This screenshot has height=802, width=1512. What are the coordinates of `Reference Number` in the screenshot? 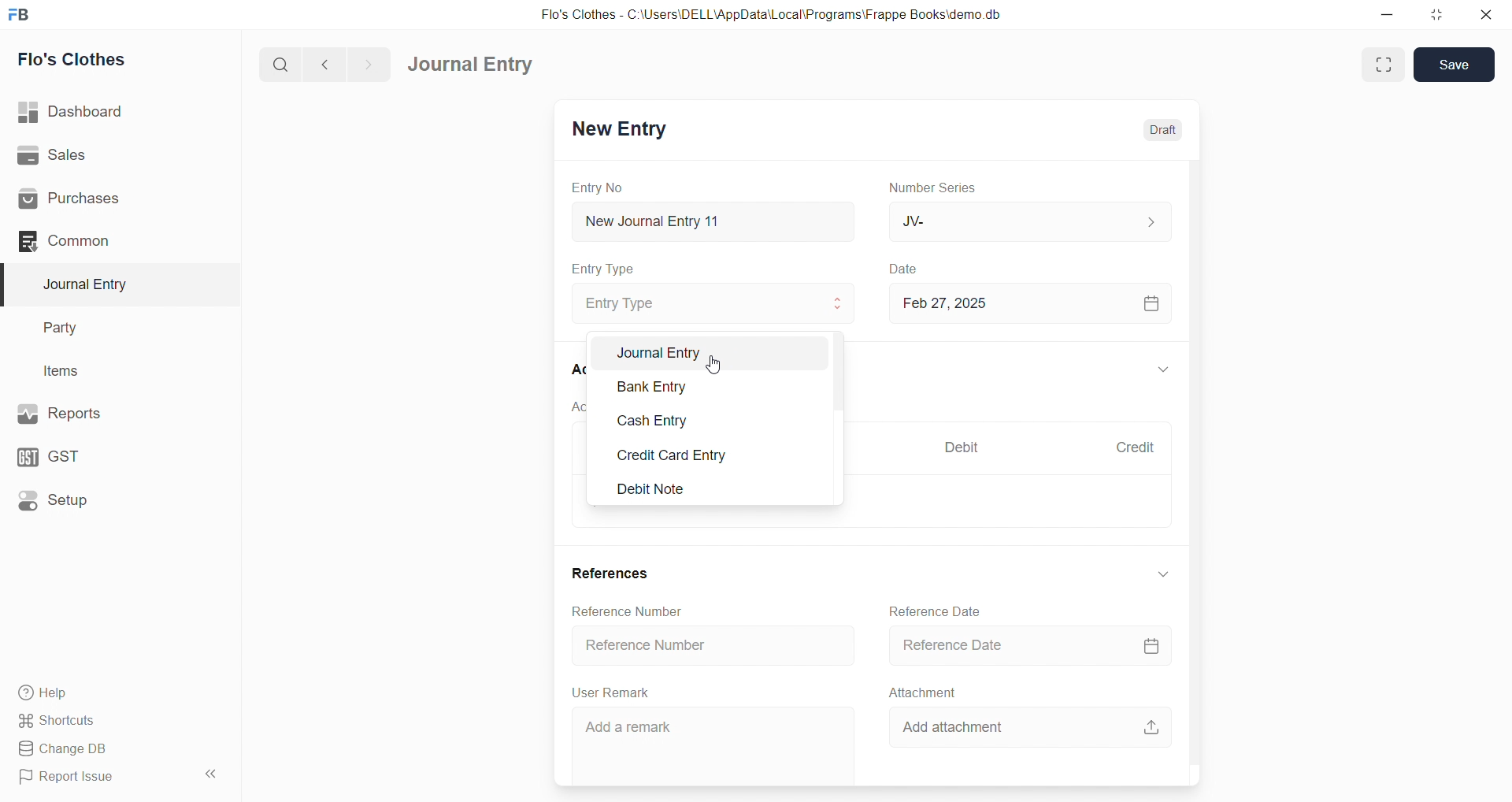 It's located at (628, 611).